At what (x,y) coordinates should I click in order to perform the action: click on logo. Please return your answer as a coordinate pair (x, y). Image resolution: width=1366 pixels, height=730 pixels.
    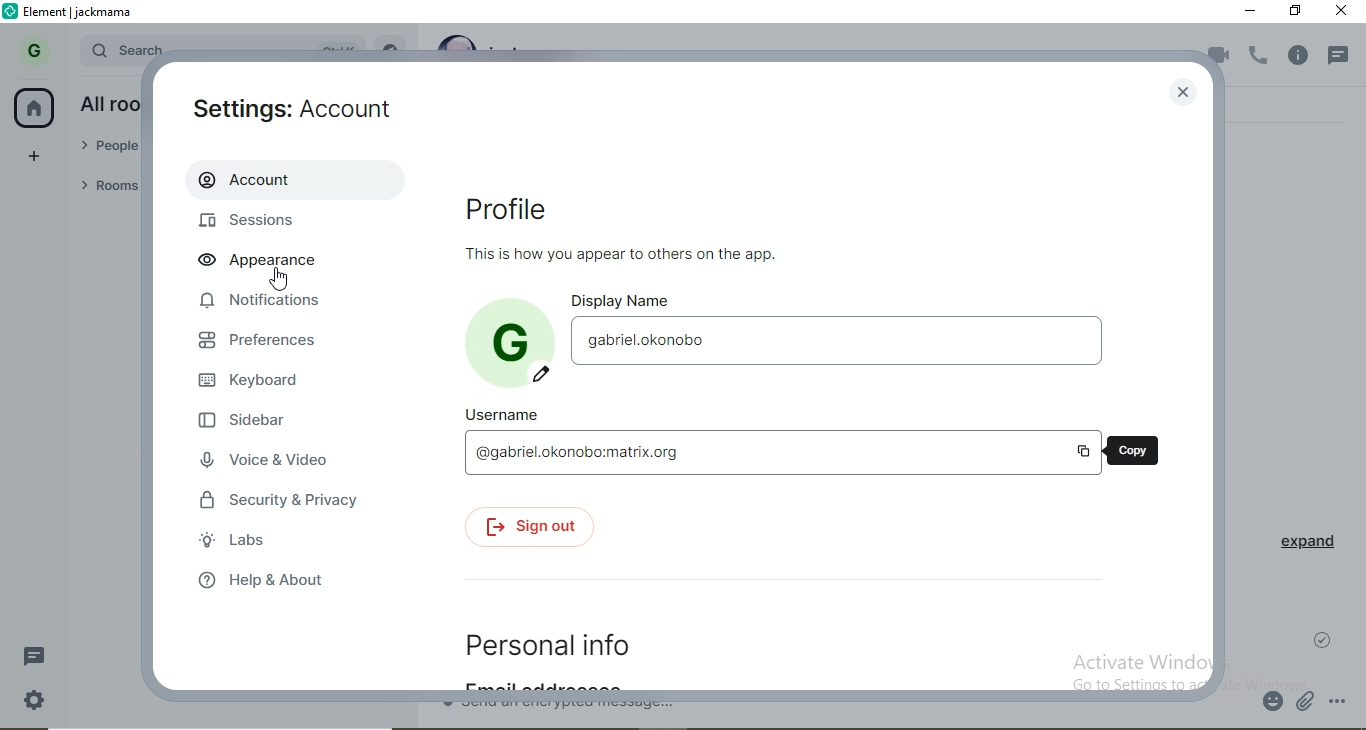
    Looking at the image, I should click on (12, 12).